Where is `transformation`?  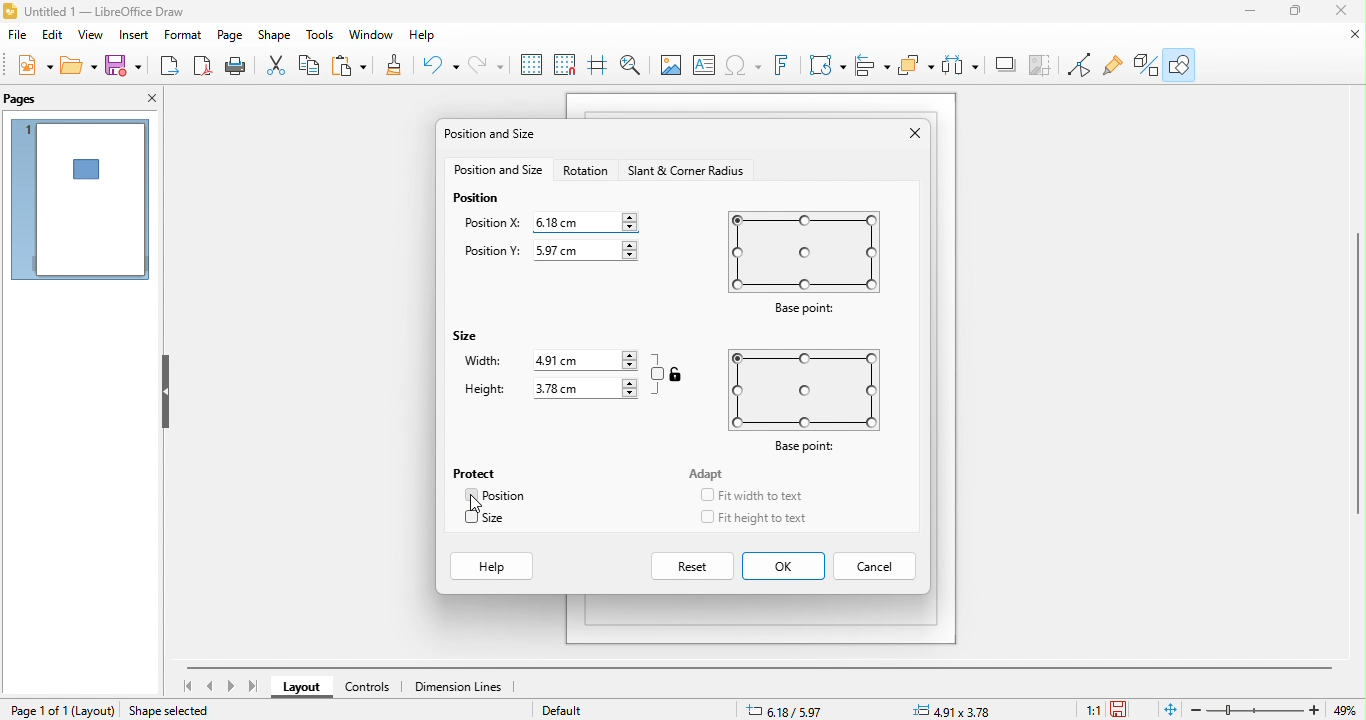 transformation is located at coordinates (827, 65).